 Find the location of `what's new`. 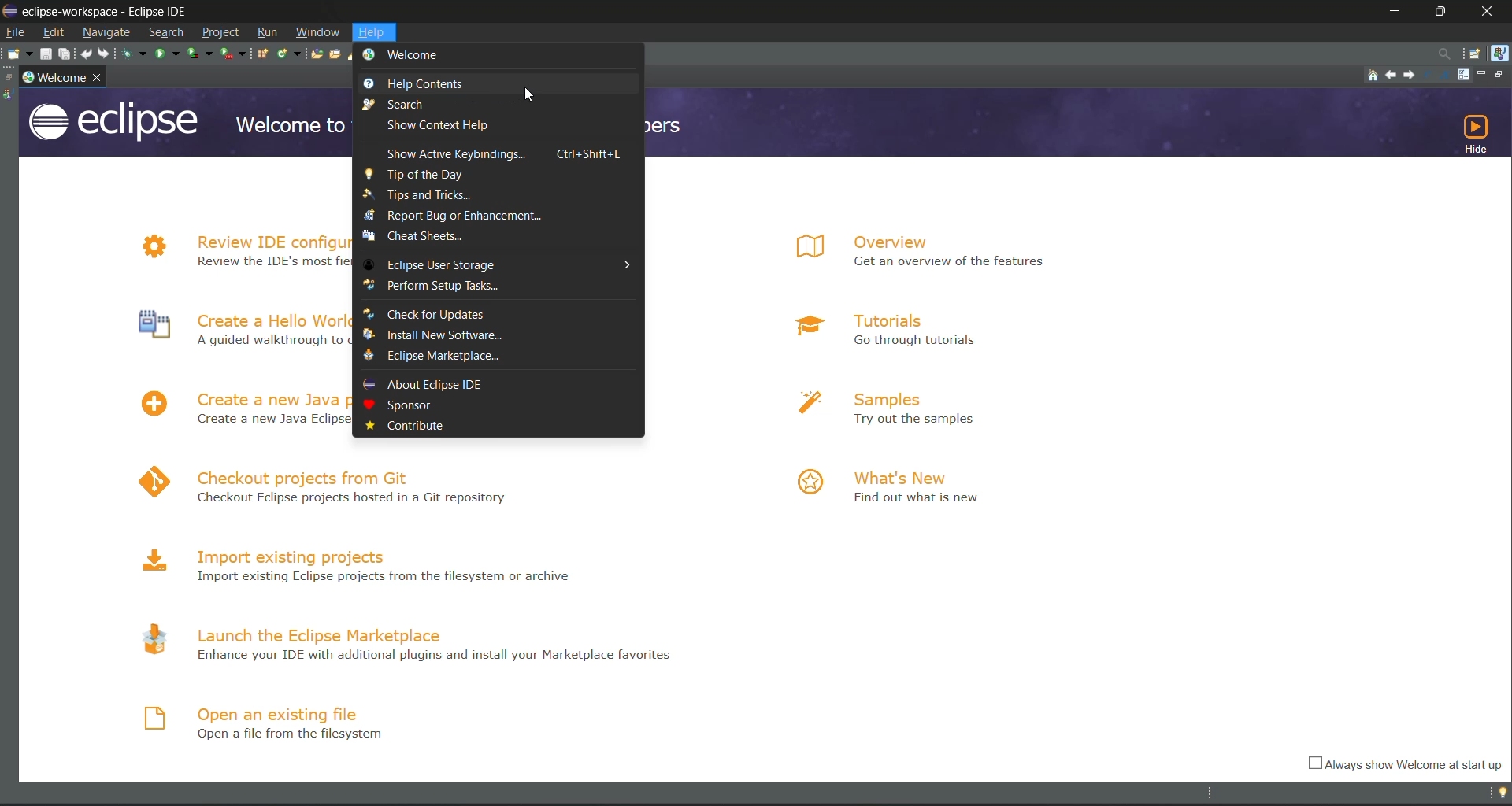

what's new is located at coordinates (888, 479).